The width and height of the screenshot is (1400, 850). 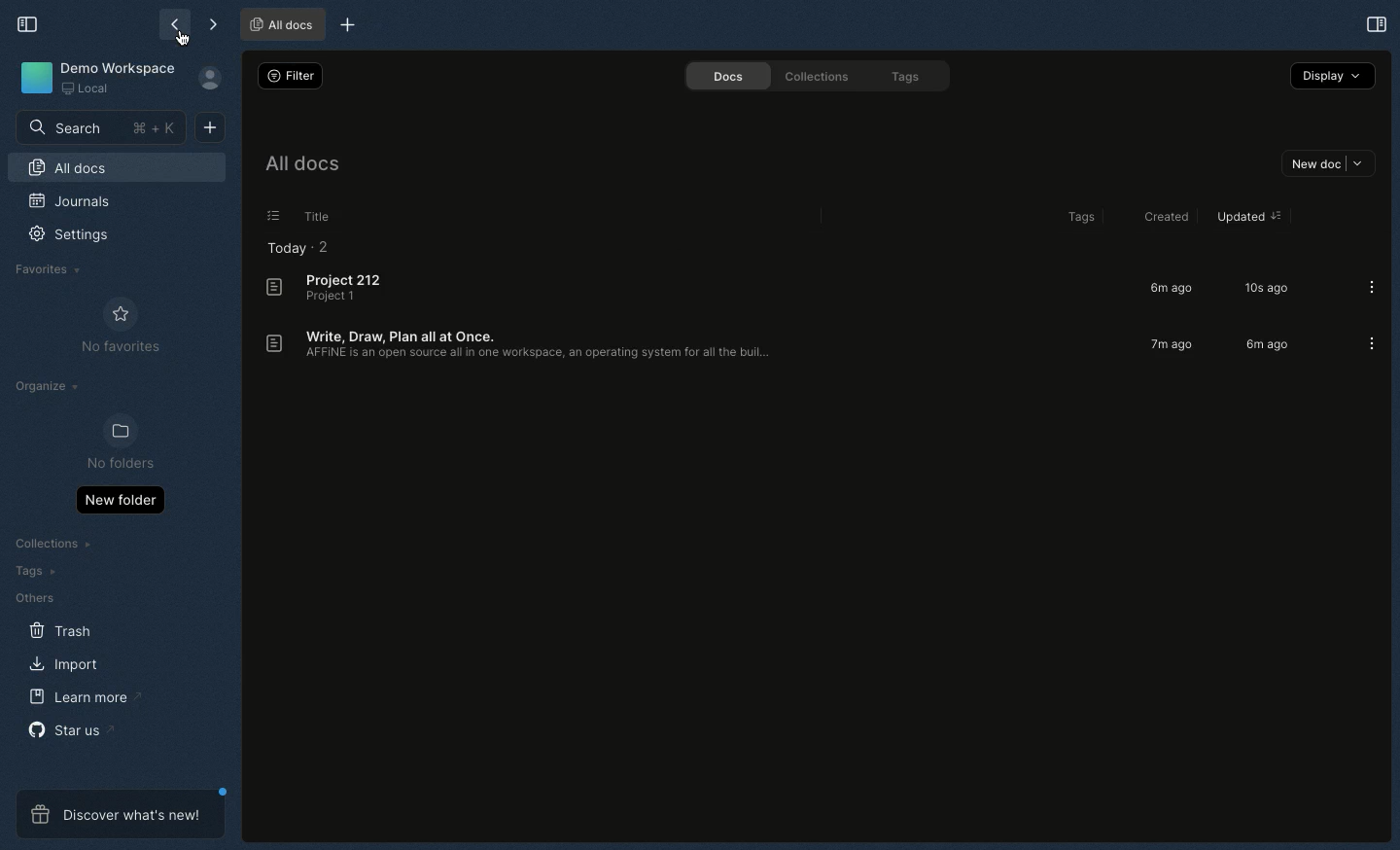 I want to click on Trash, so click(x=60, y=631).